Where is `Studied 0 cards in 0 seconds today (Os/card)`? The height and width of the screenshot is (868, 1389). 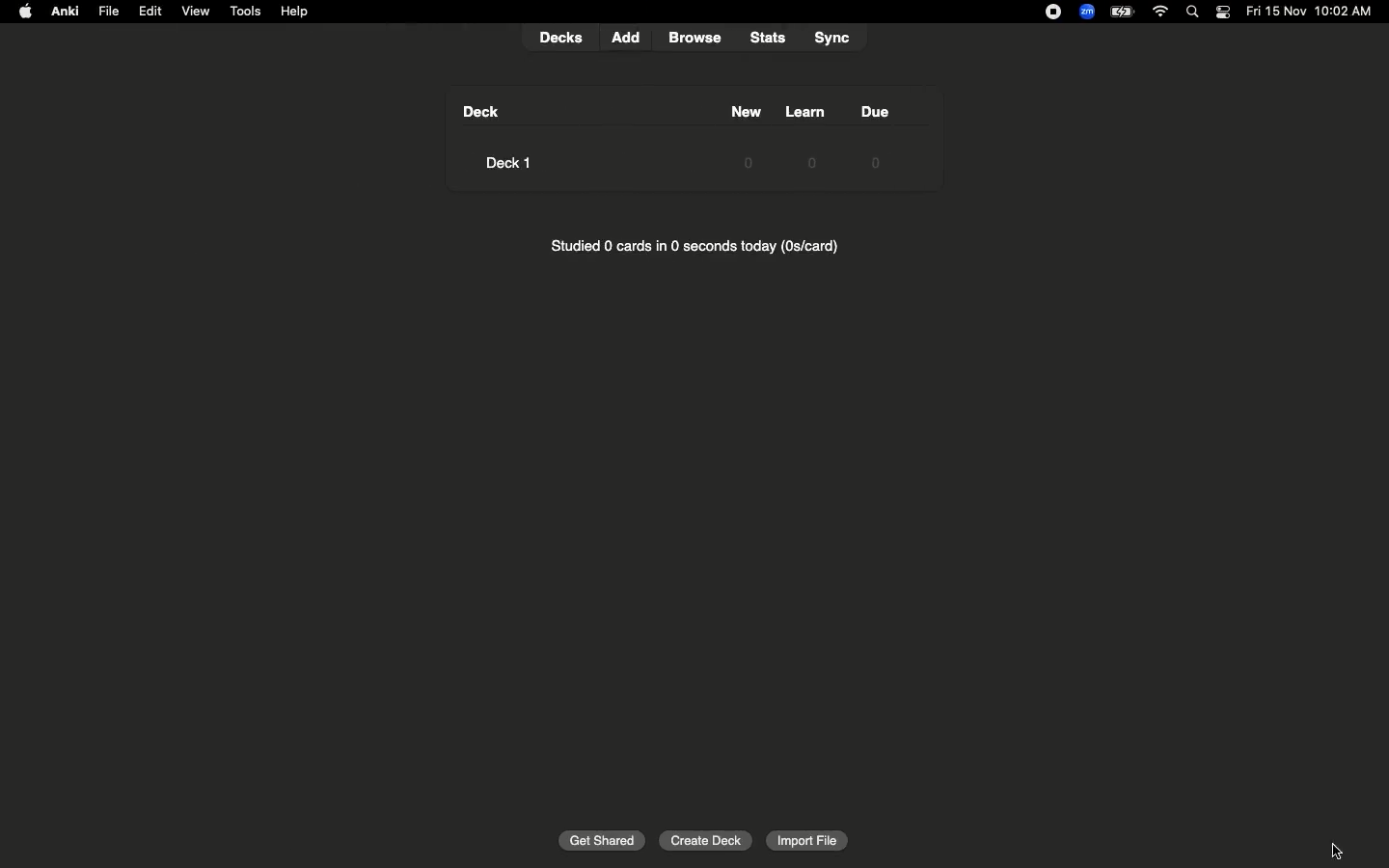 Studied 0 cards in 0 seconds today (Os/card) is located at coordinates (700, 247).